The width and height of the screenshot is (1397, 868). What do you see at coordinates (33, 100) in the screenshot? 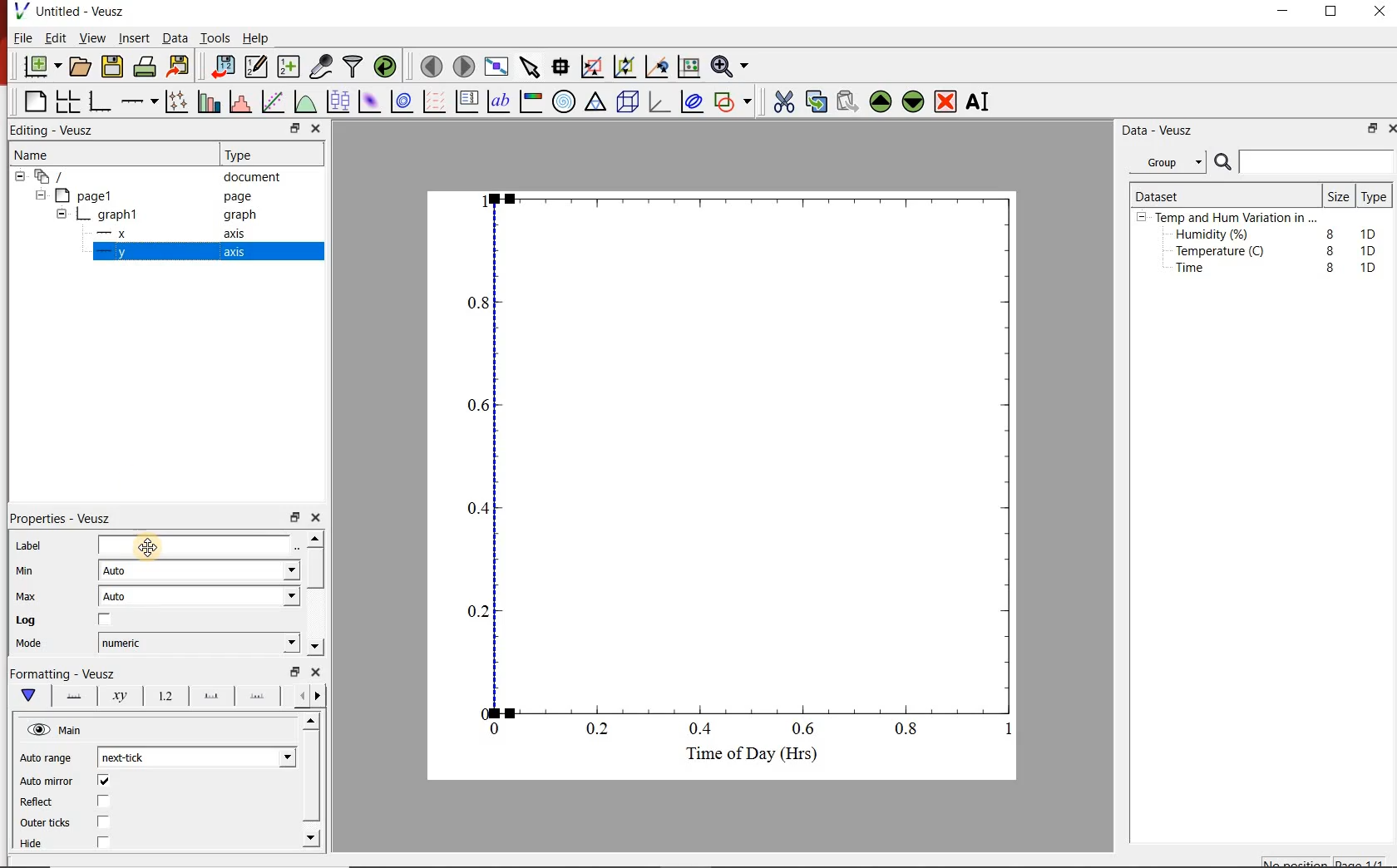
I see `blank page` at bounding box center [33, 100].